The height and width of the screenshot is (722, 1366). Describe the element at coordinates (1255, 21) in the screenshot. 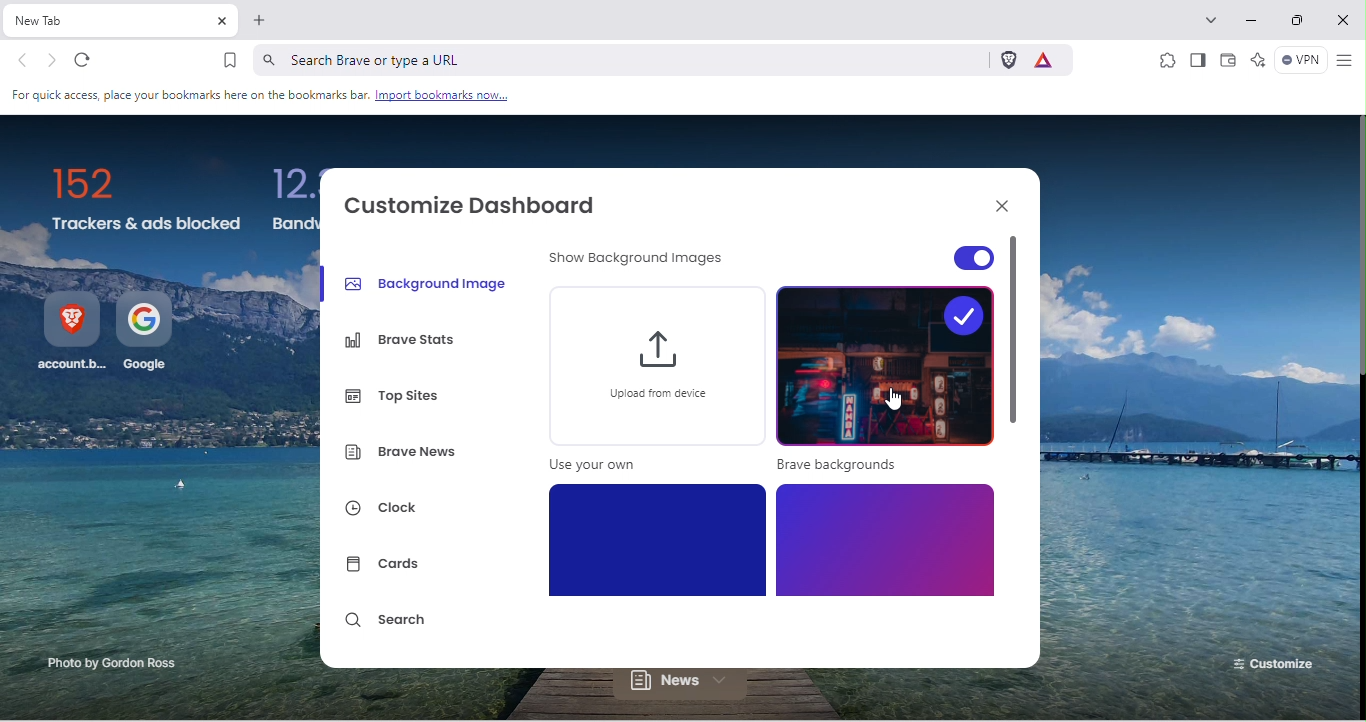

I see `Minimize` at that location.